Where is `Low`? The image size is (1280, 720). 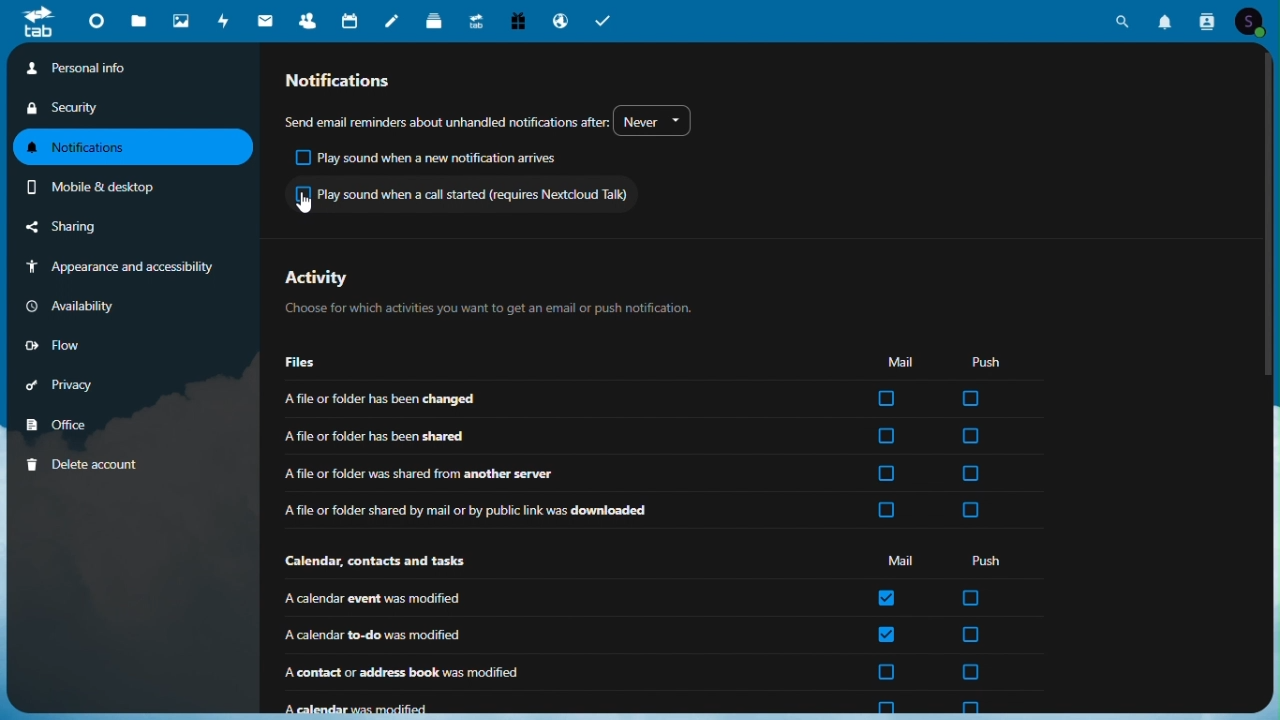 Low is located at coordinates (70, 342).